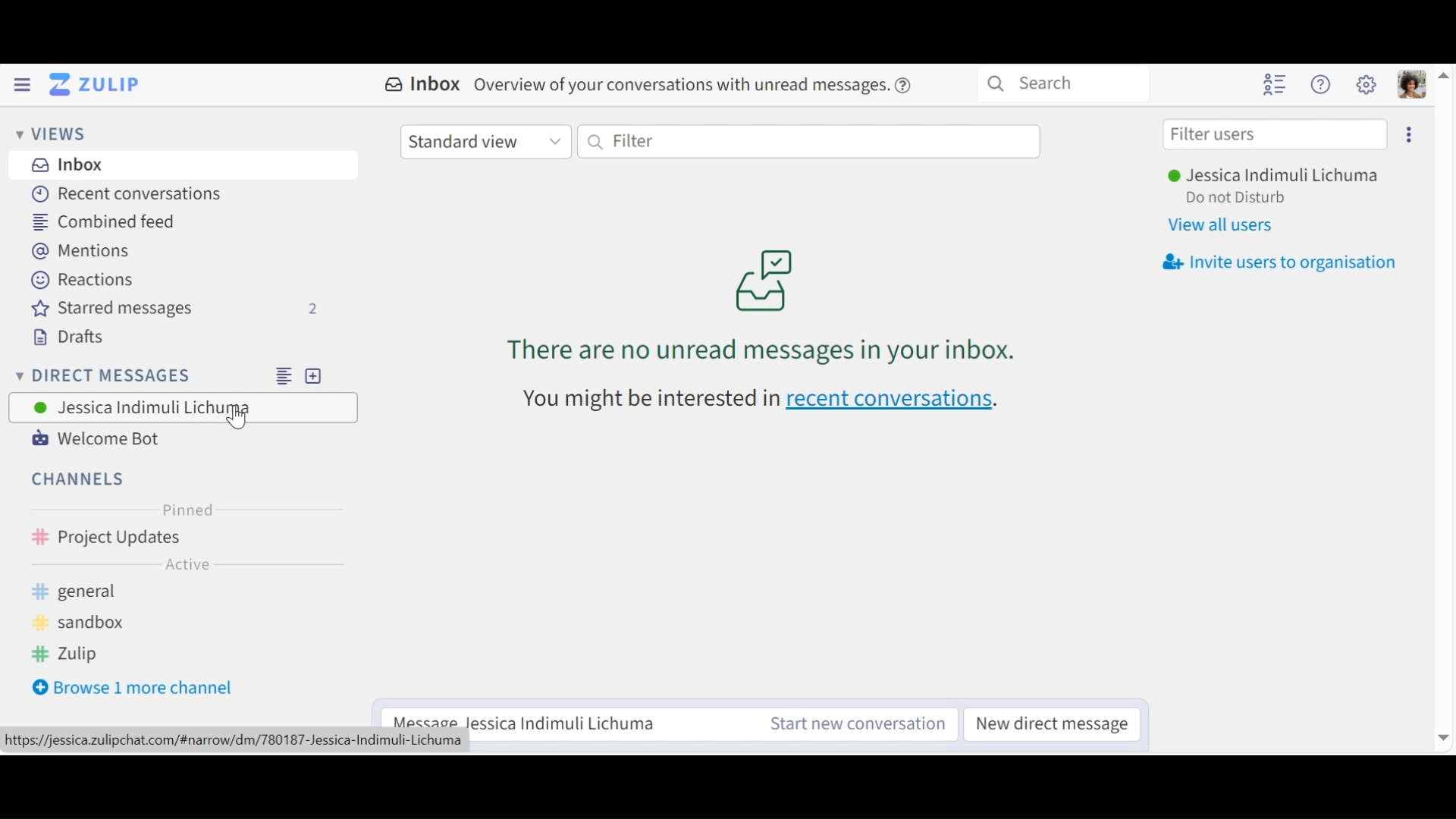 This screenshot has width=1456, height=819. Describe the element at coordinates (764, 400) in the screenshot. I see `recent conversations` at that location.